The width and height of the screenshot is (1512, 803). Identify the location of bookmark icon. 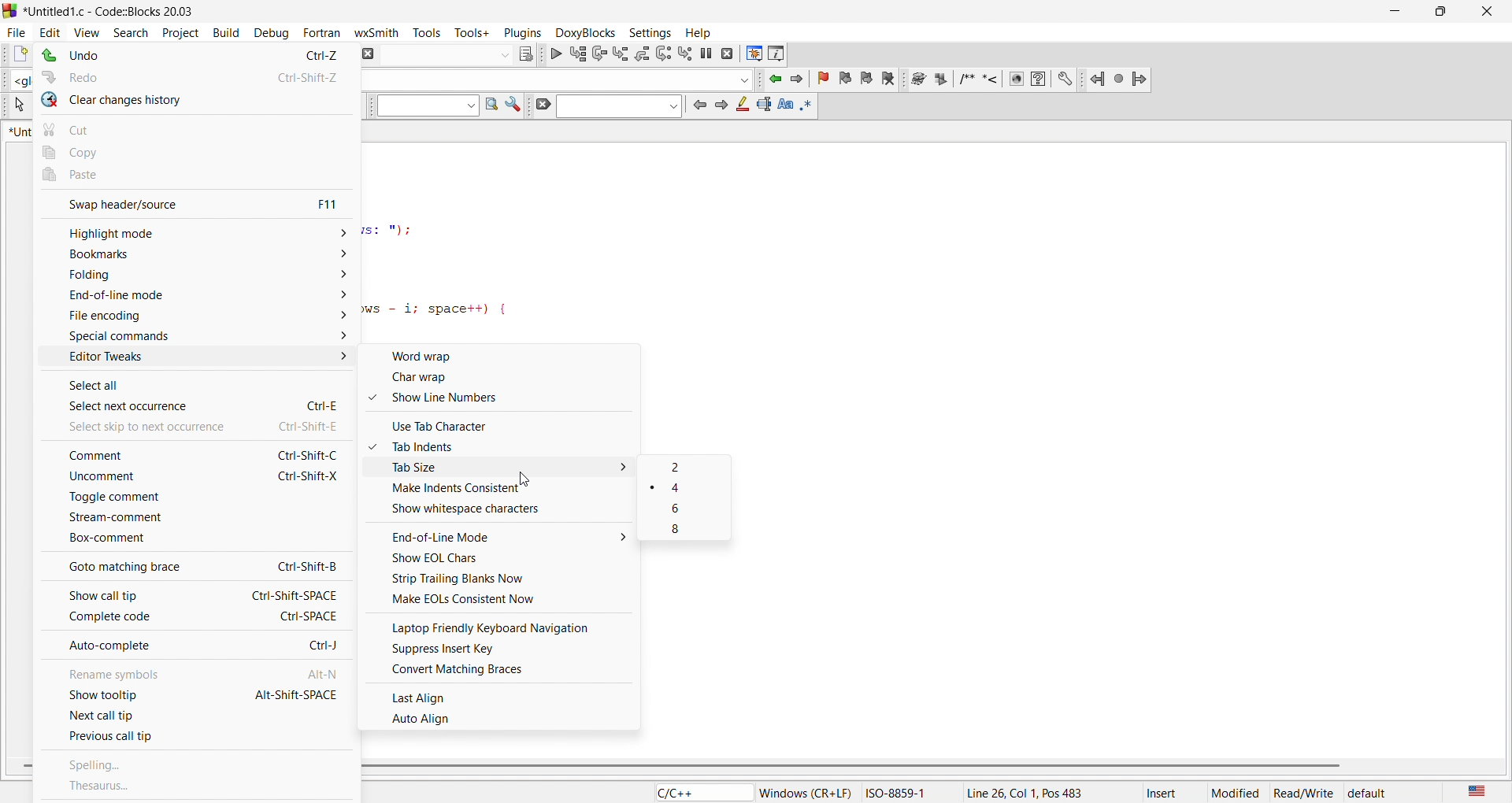
(854, 80).